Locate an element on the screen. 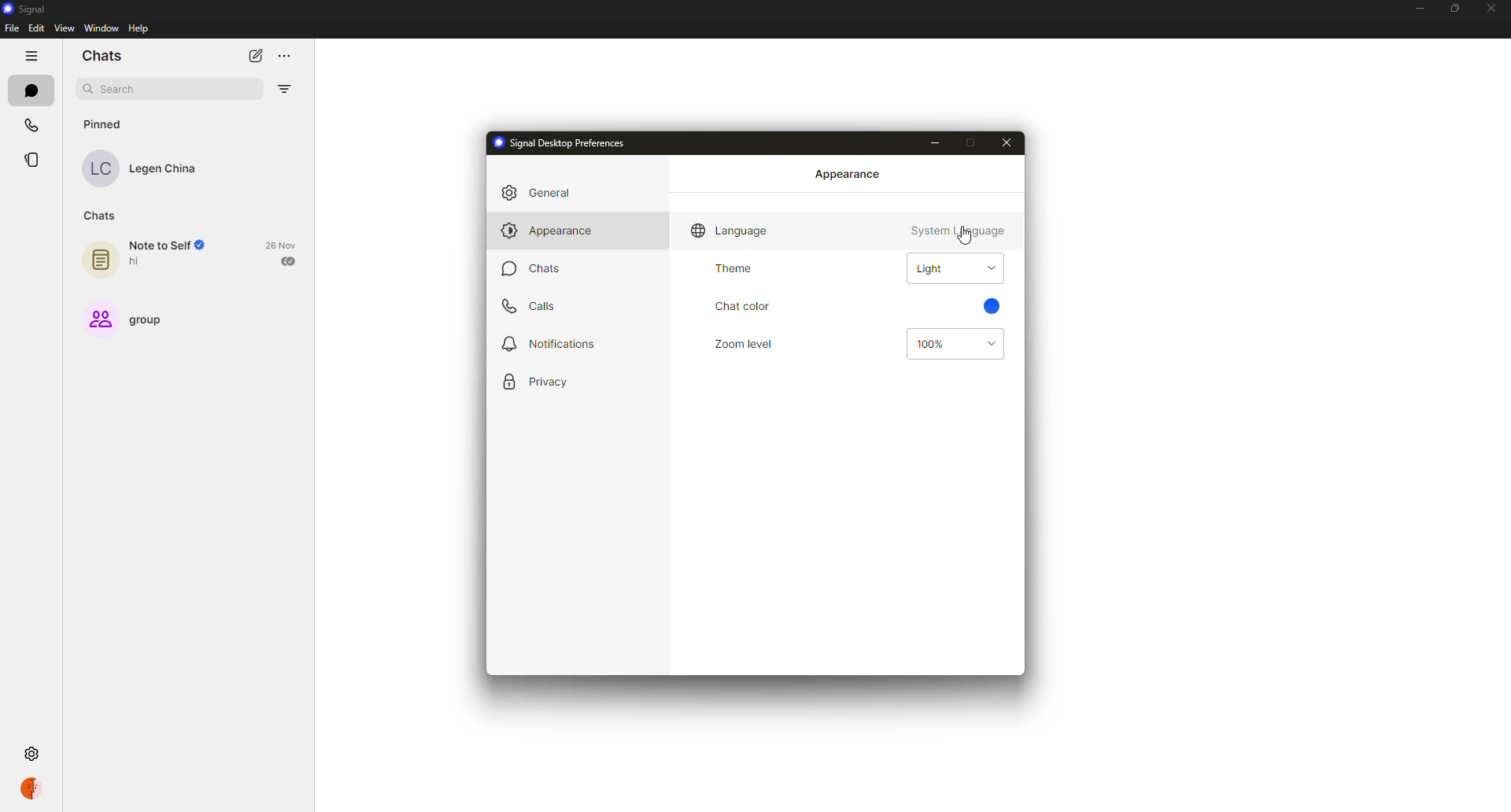 This screenshot has width=1511, height=812. light is located at coordinates (930, 268).